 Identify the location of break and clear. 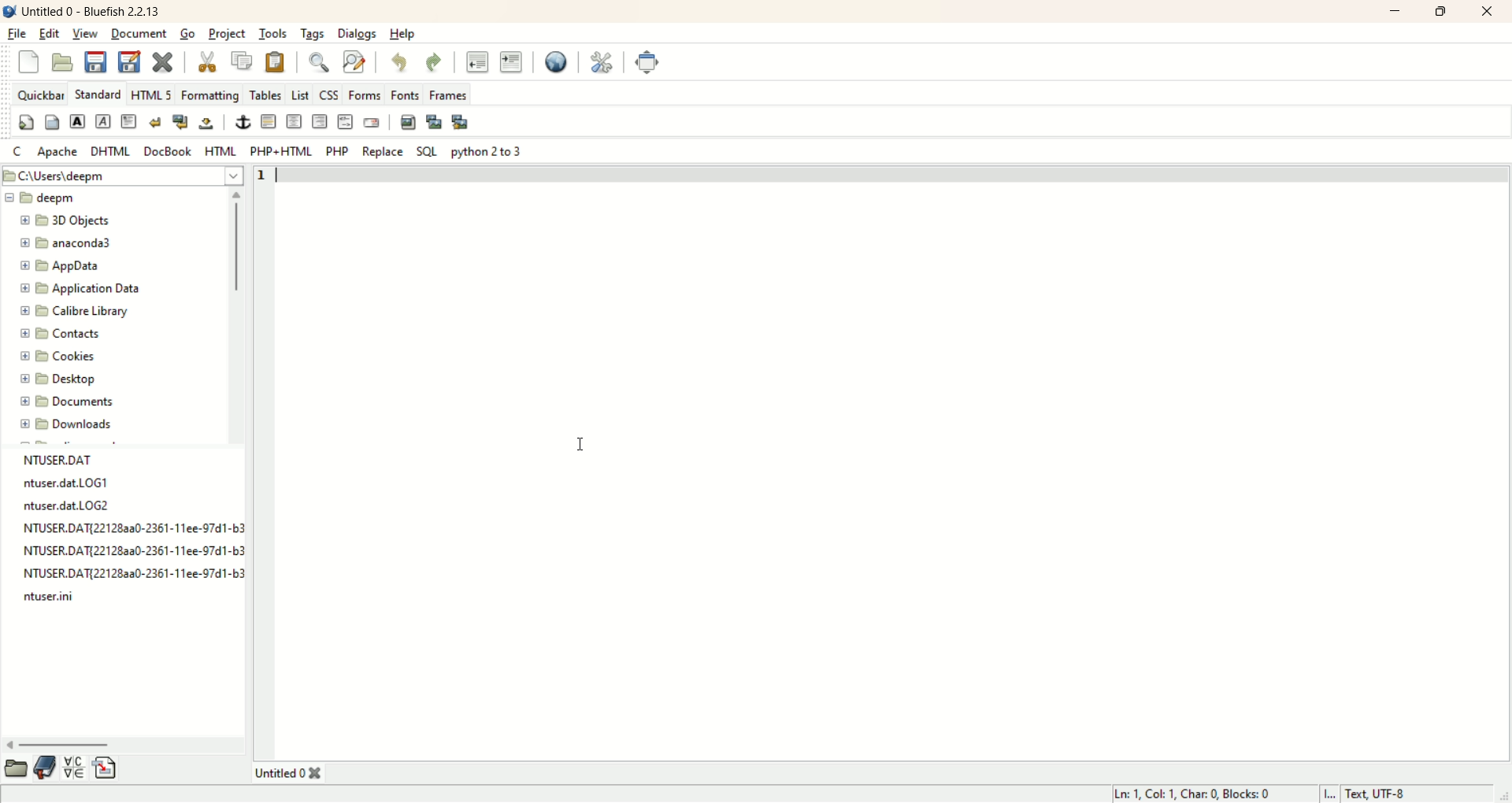
(180, 123).